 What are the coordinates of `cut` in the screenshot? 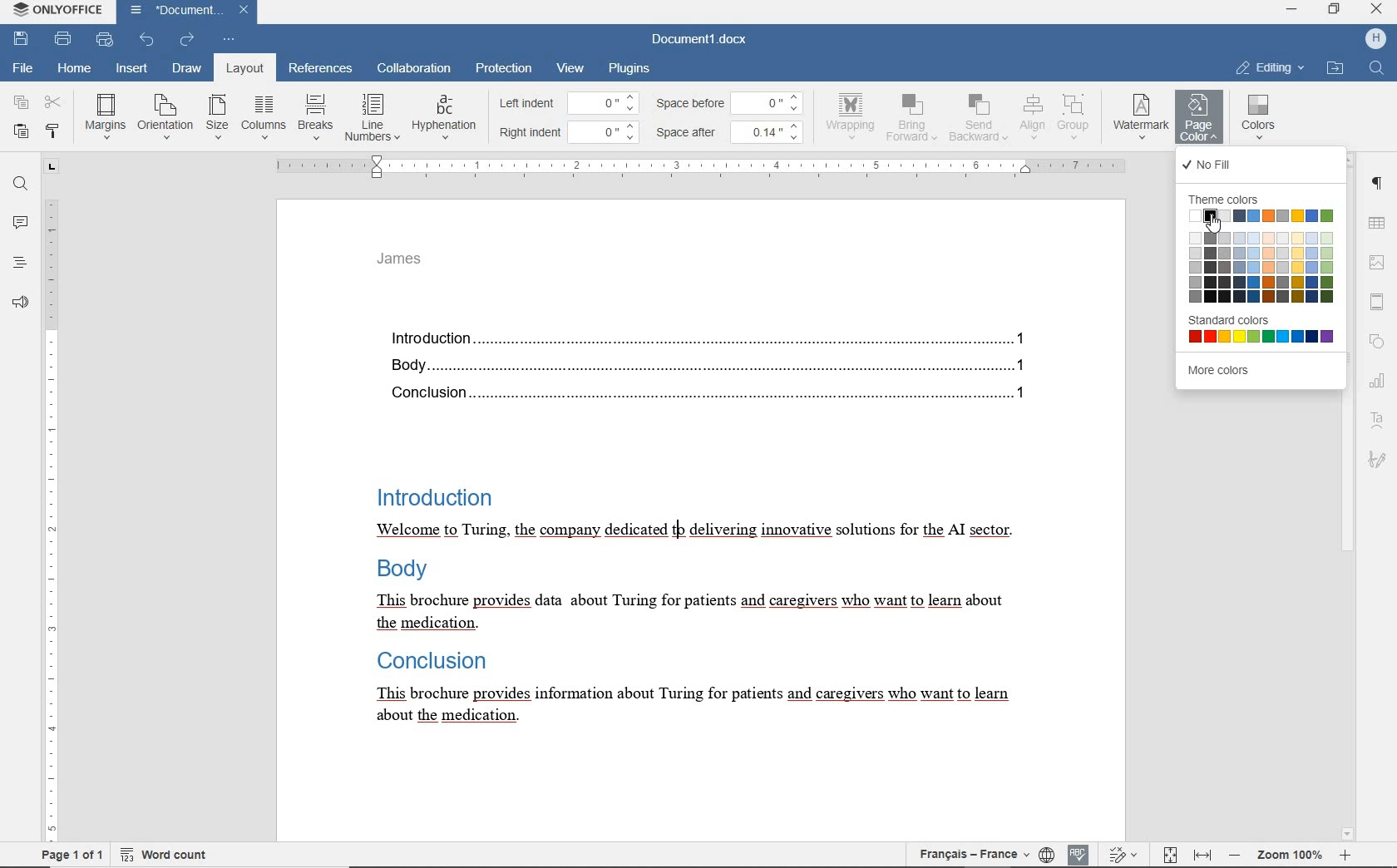 It's located at (54, 101).